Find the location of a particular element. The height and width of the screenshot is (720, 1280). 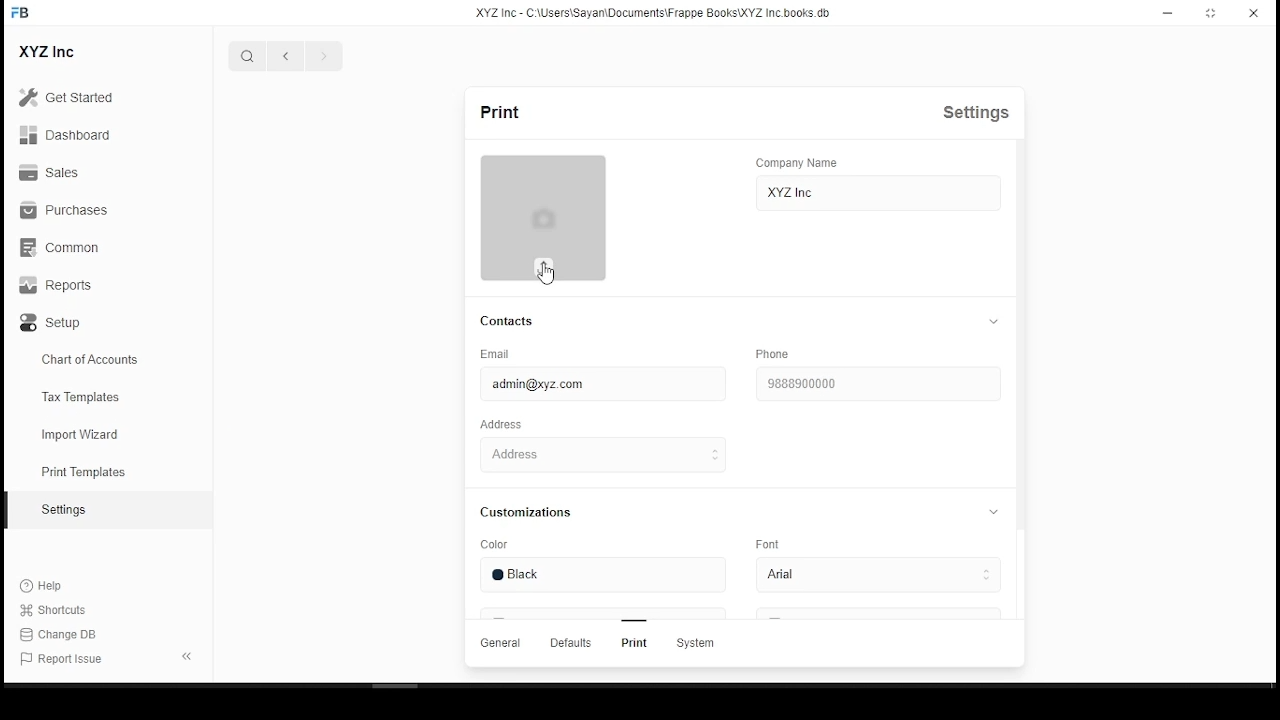

Font is located at coordinates (768, 543).